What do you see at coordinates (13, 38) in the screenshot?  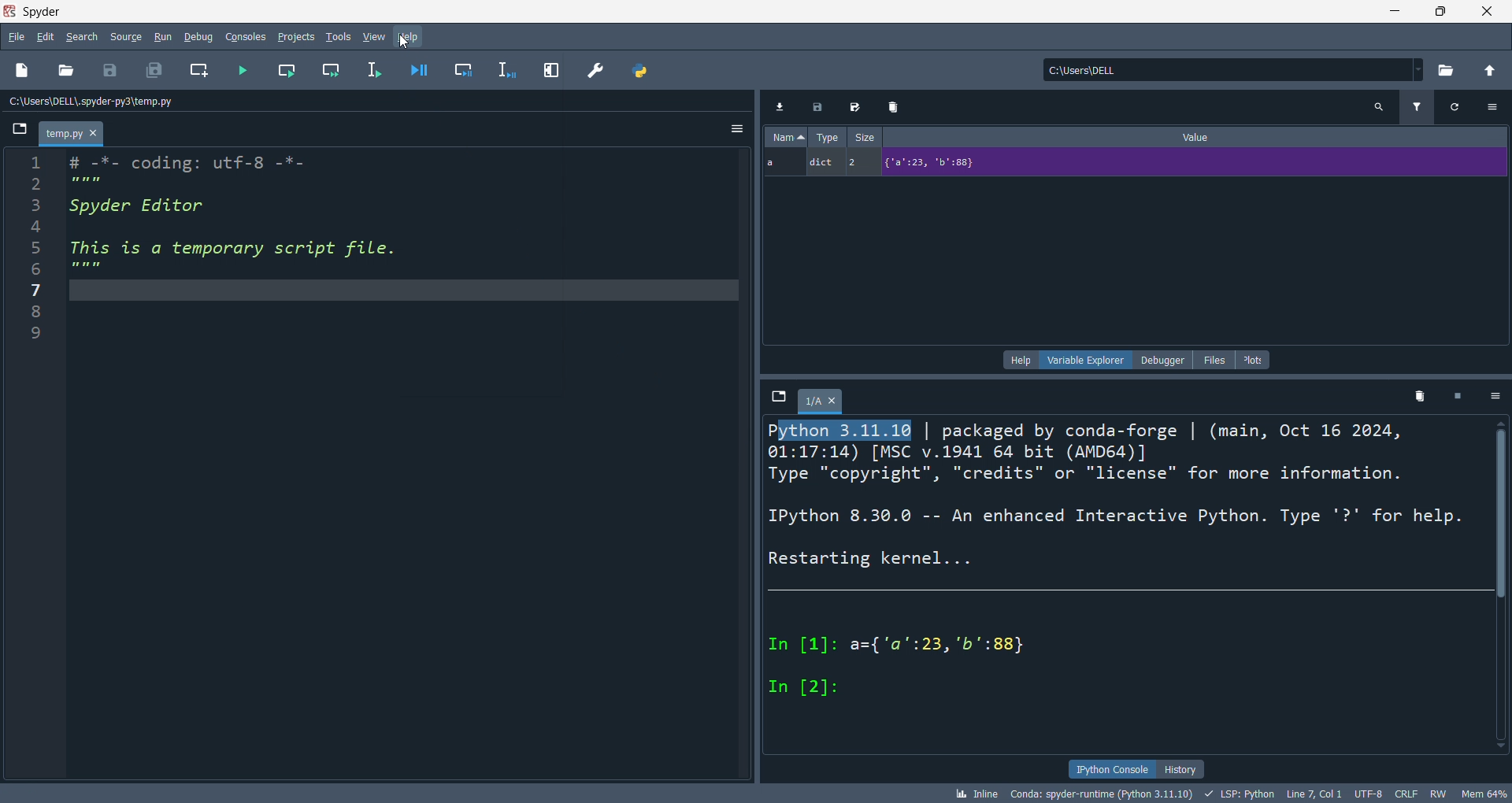 I see `file` at bounding box center [13, 38].